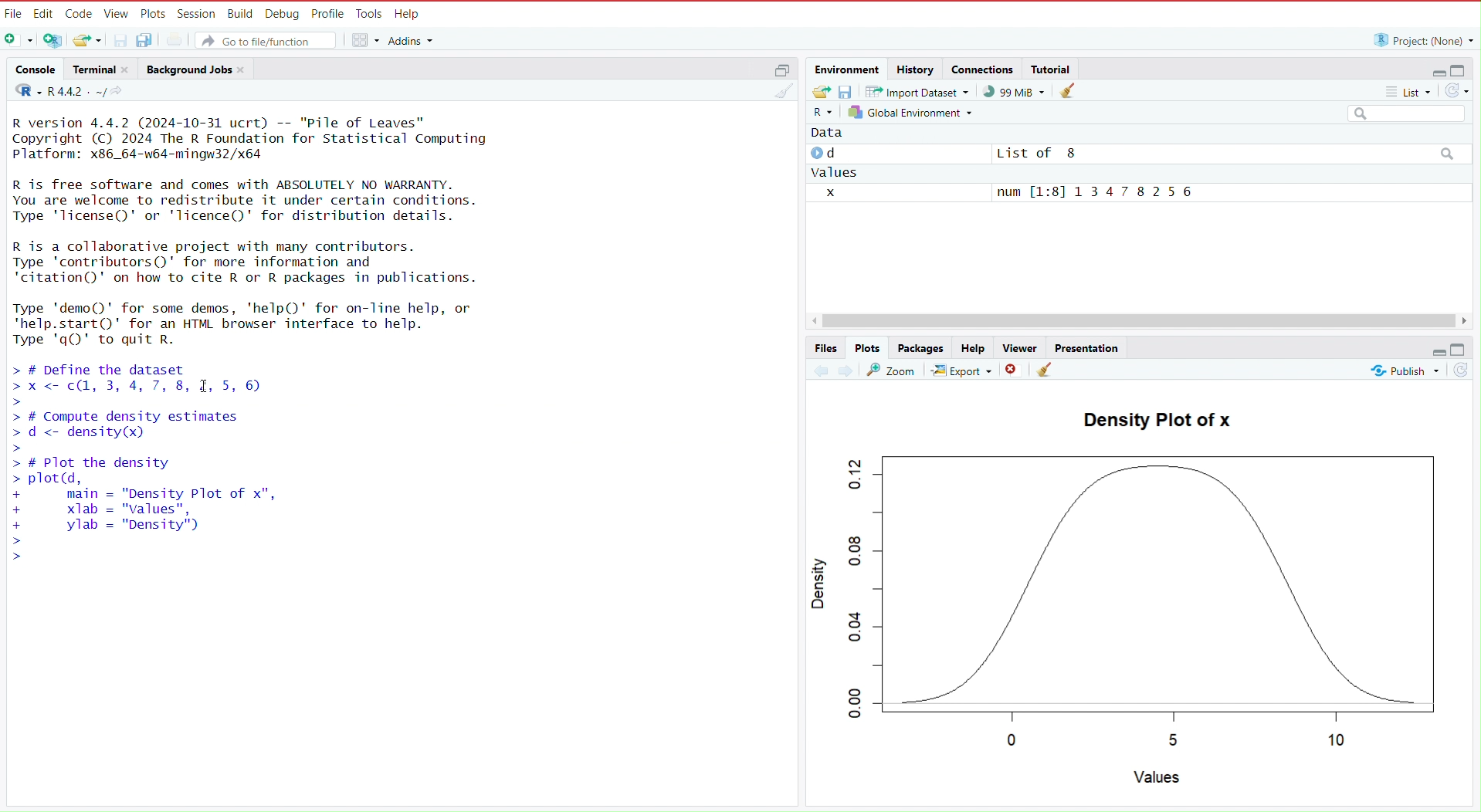  What do you see at coordinates (229, 378) in the screenshot?
I see `code to define the dataset` at bounding box center [229, 378].